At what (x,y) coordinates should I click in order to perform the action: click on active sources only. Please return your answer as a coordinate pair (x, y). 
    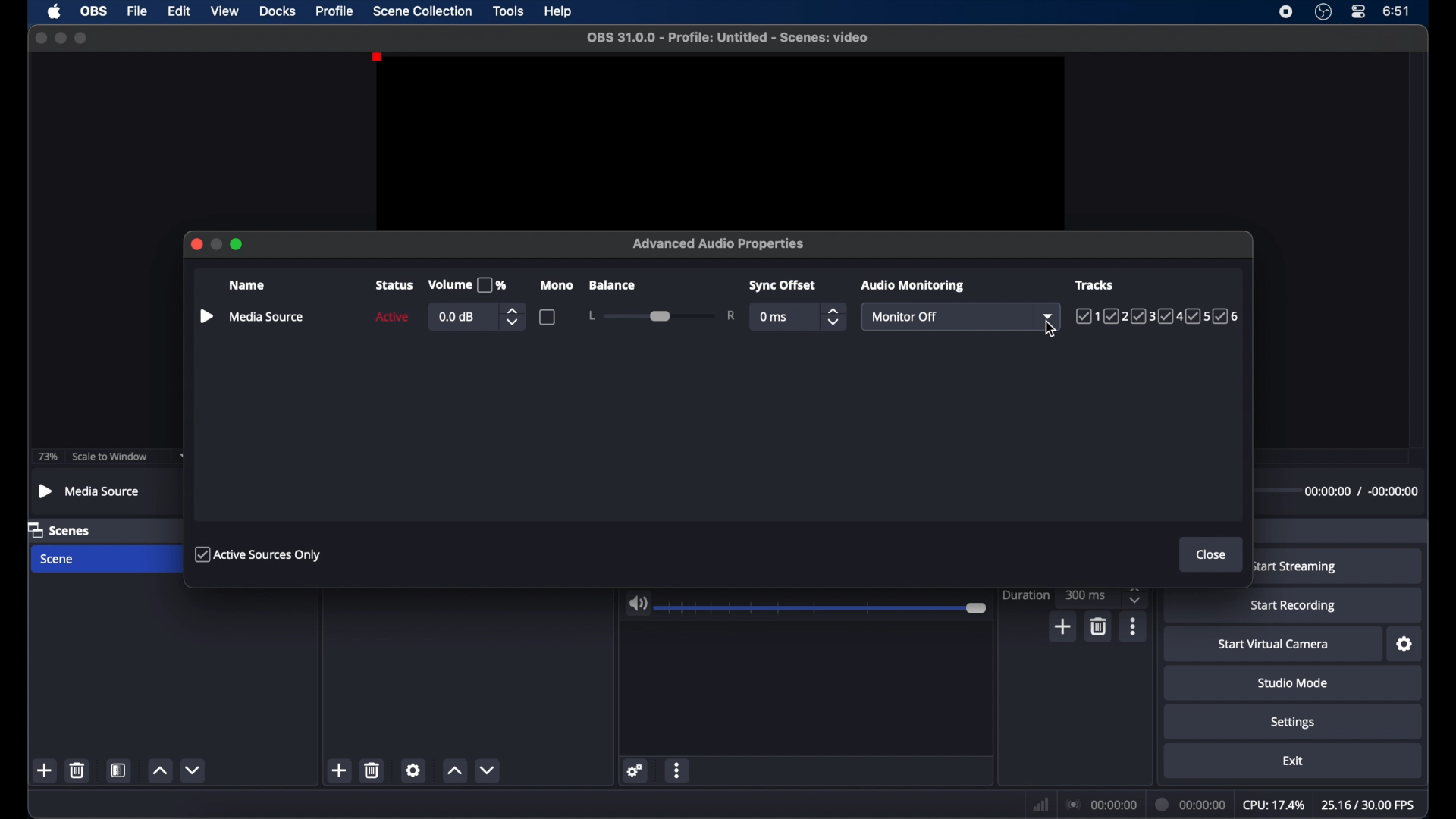
    Looking at the image, I should click on (258, 554).